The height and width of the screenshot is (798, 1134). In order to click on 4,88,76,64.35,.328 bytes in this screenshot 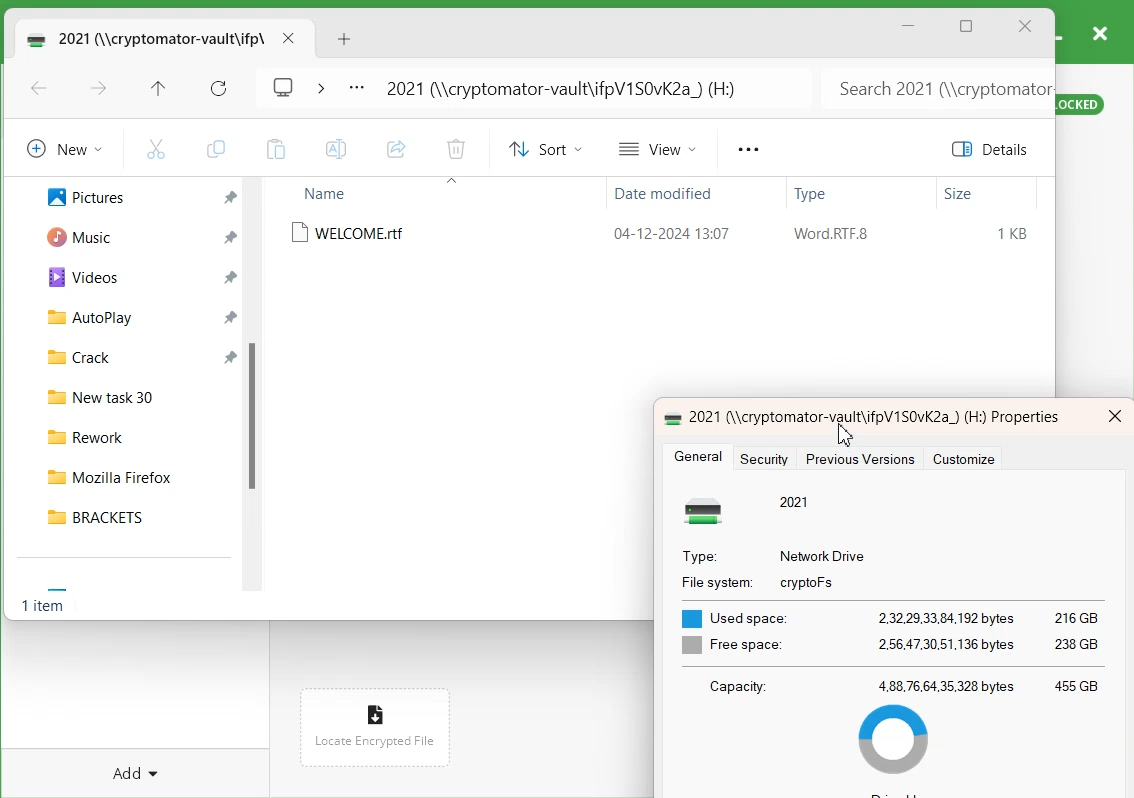, I will do `click(946, 685)`.